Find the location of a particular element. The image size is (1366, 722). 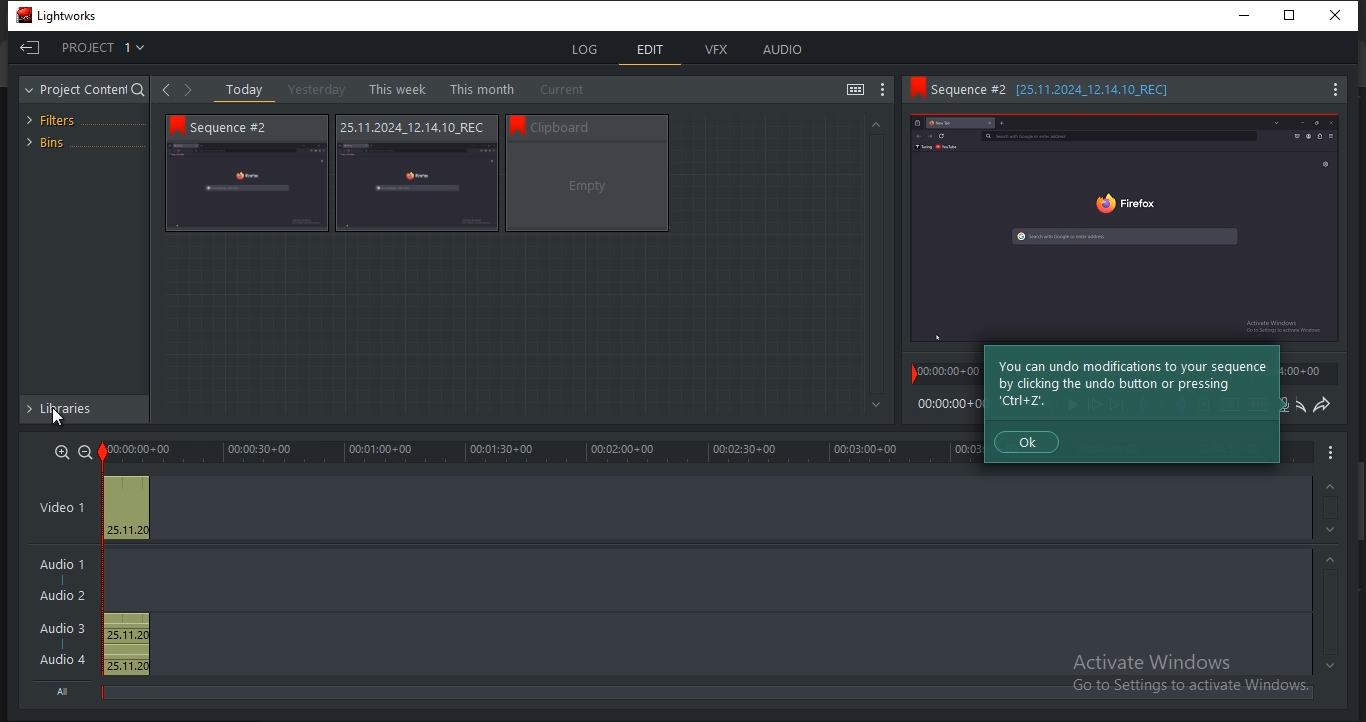

Scroll bar is located at coordinates (1357, 499).